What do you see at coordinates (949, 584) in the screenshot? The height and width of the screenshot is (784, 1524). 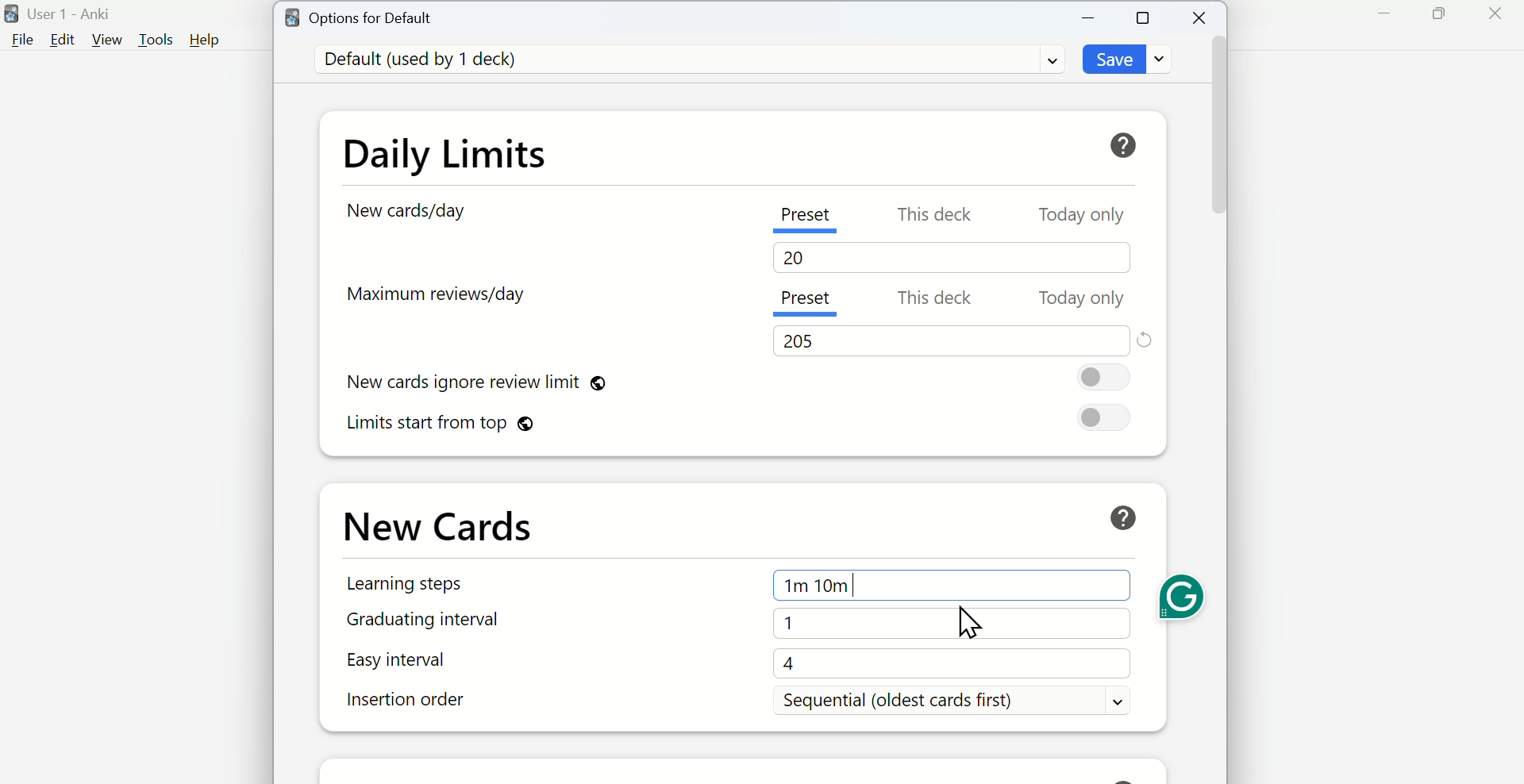 I see `1m 10m` at bounding box center [949, 584].